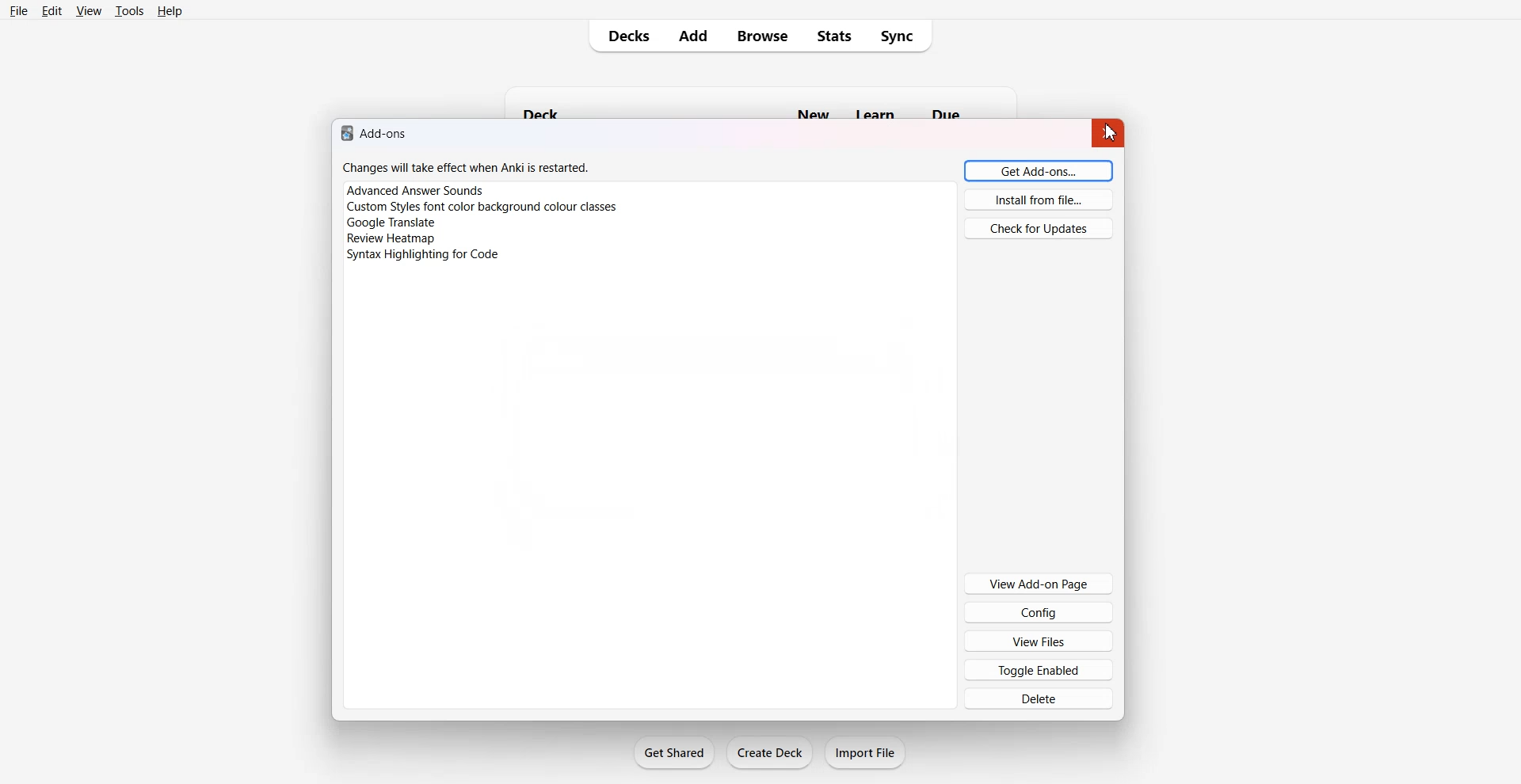 The width and height of the screenshot is (1521, 784). Describe the element at coordinates (1039, 228) in the screenshot. I see `Check for Updates` at that location.